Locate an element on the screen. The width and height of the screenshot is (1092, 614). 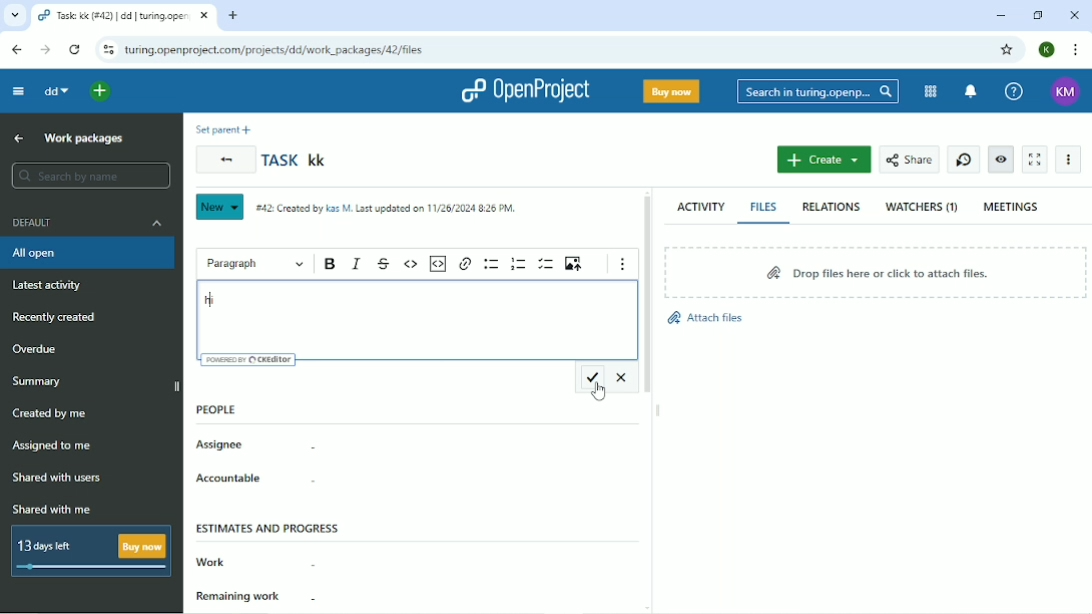
Relations is located at coordinates (830, 206).